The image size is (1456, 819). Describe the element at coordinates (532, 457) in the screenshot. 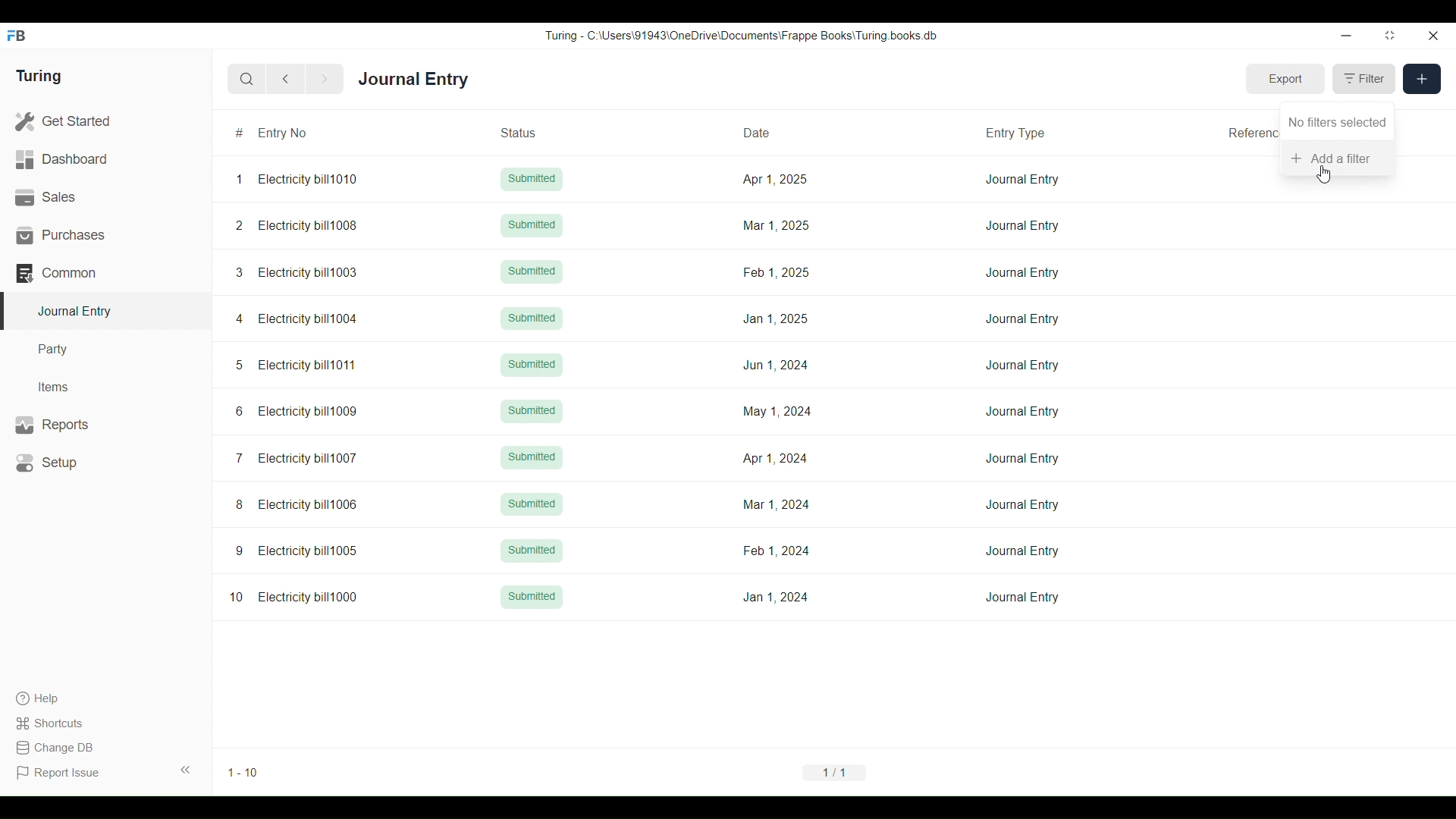

I see `Submitted` at that location.